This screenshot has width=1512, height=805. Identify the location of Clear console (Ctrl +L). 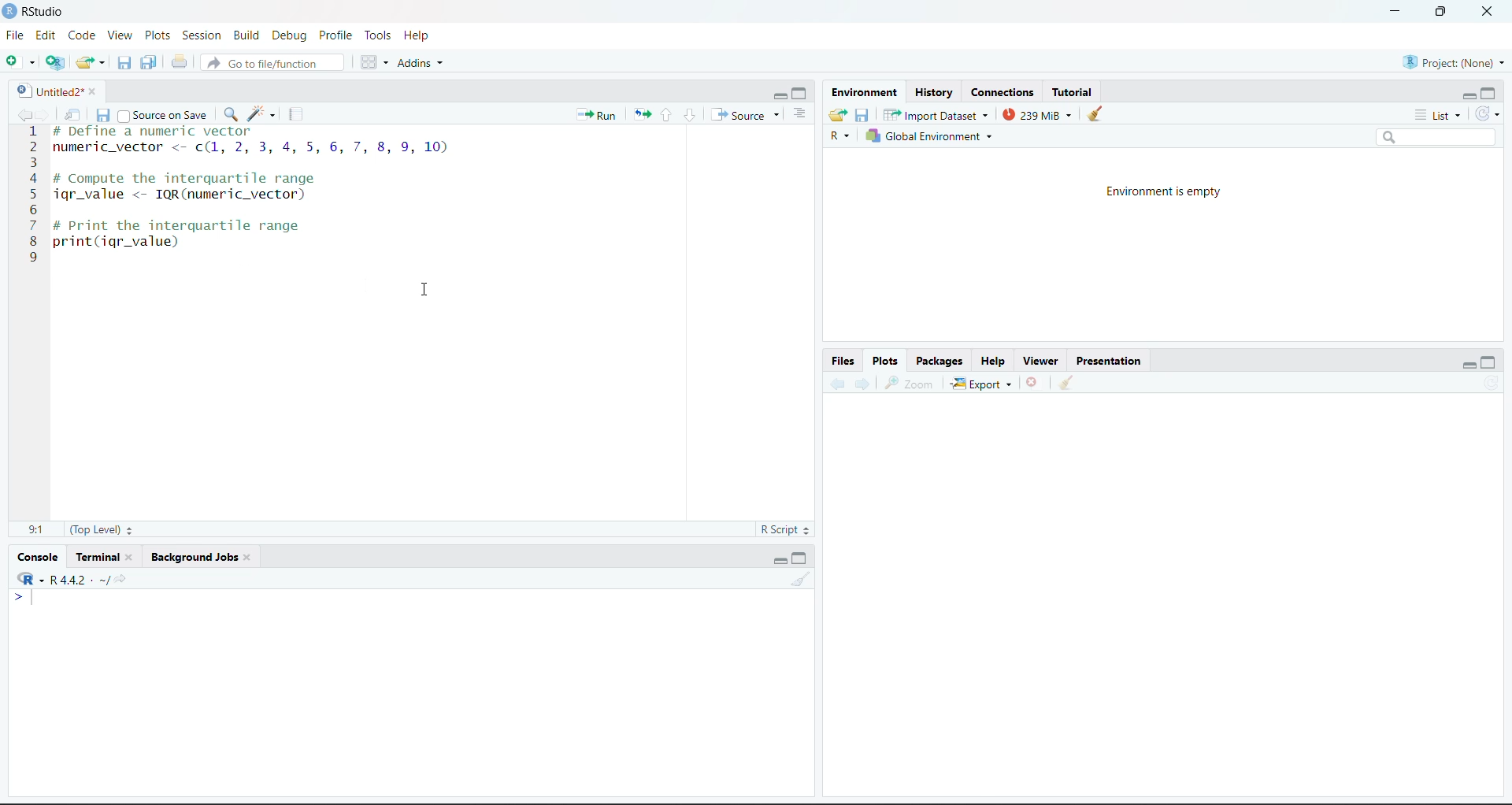
(1099, 114).